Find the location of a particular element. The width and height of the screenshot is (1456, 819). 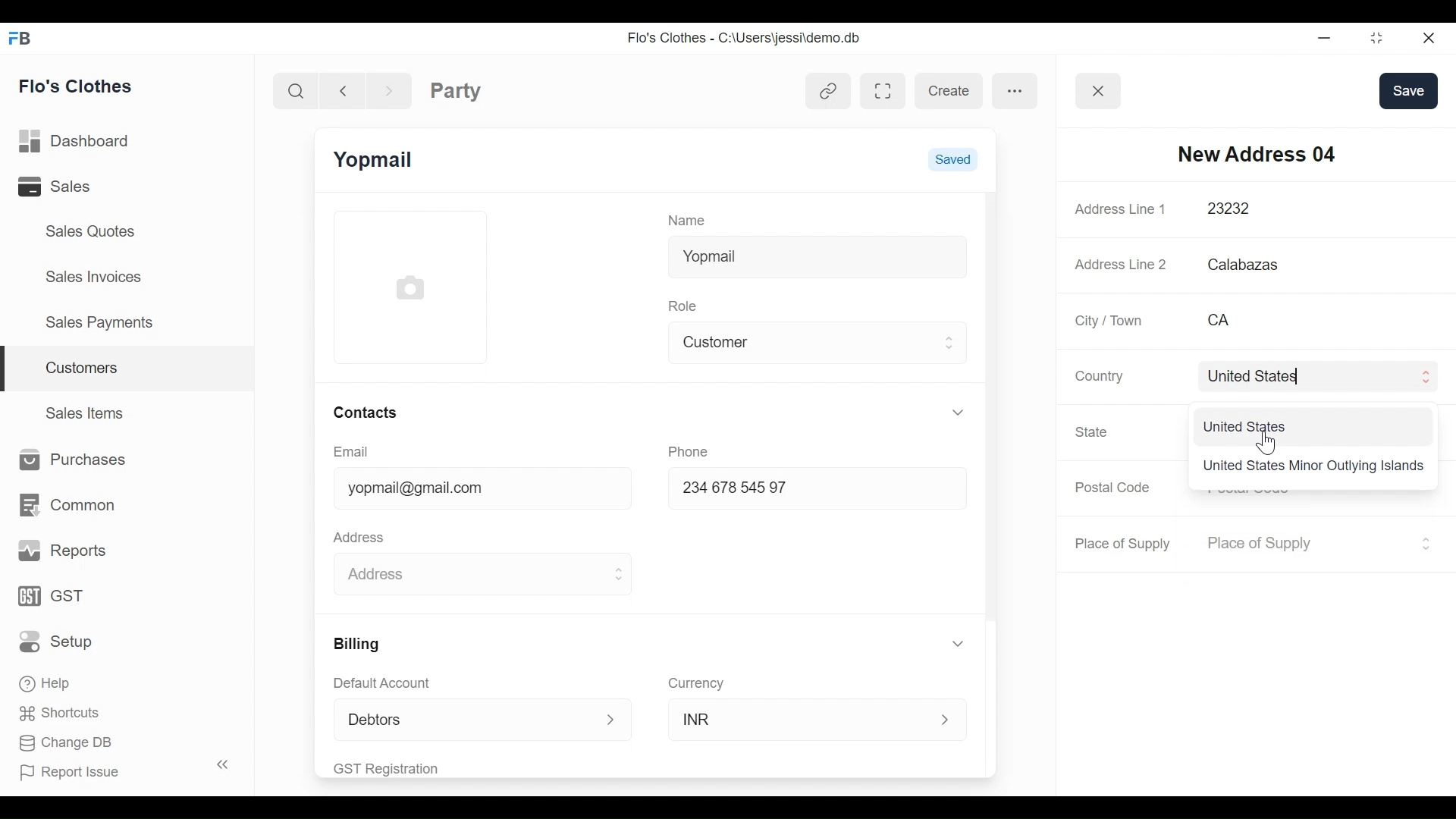

 is located at coordinates (1099, 91).